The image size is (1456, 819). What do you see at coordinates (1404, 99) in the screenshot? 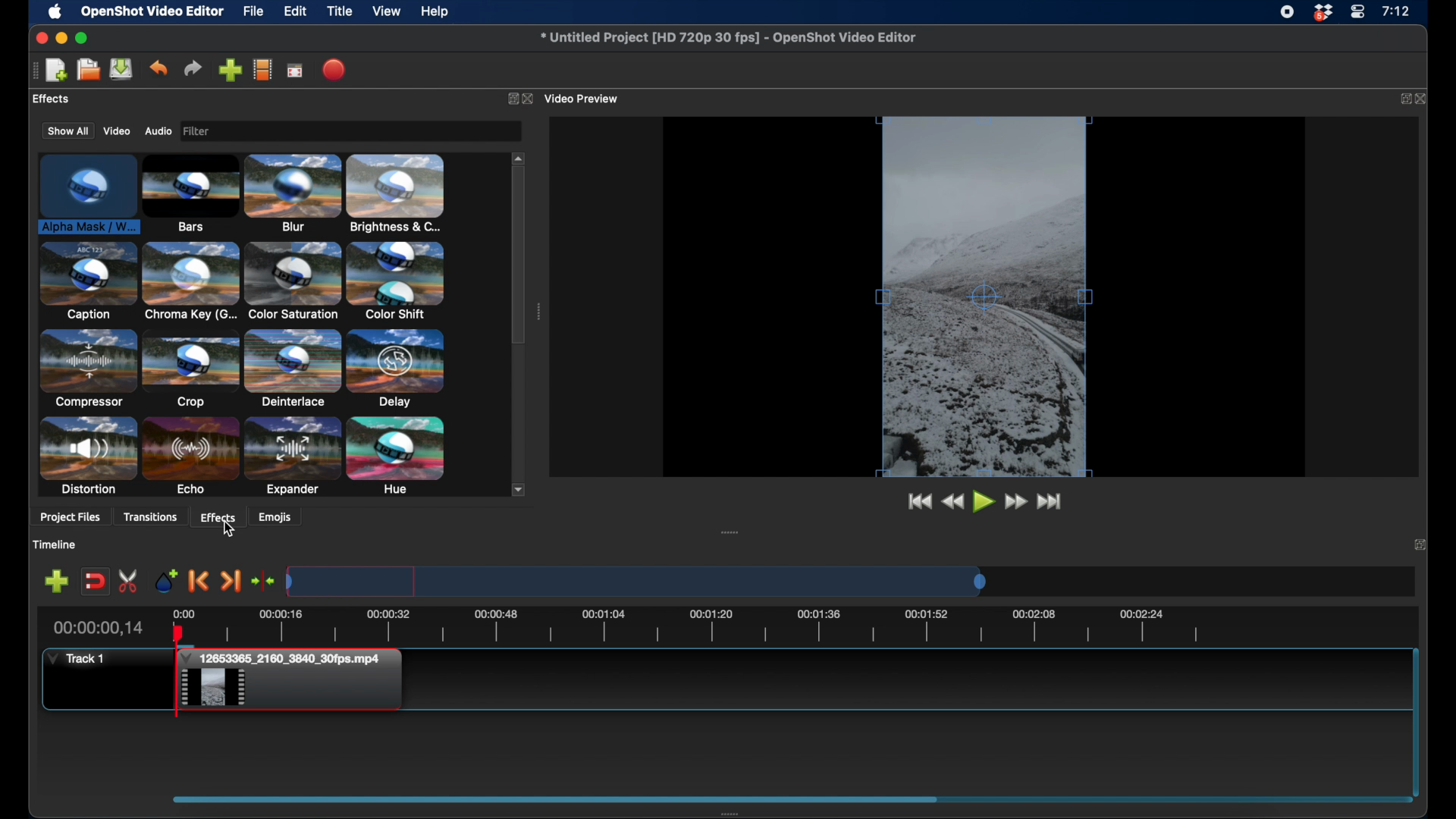
I see `expand` at bounding box center [1404, 99].